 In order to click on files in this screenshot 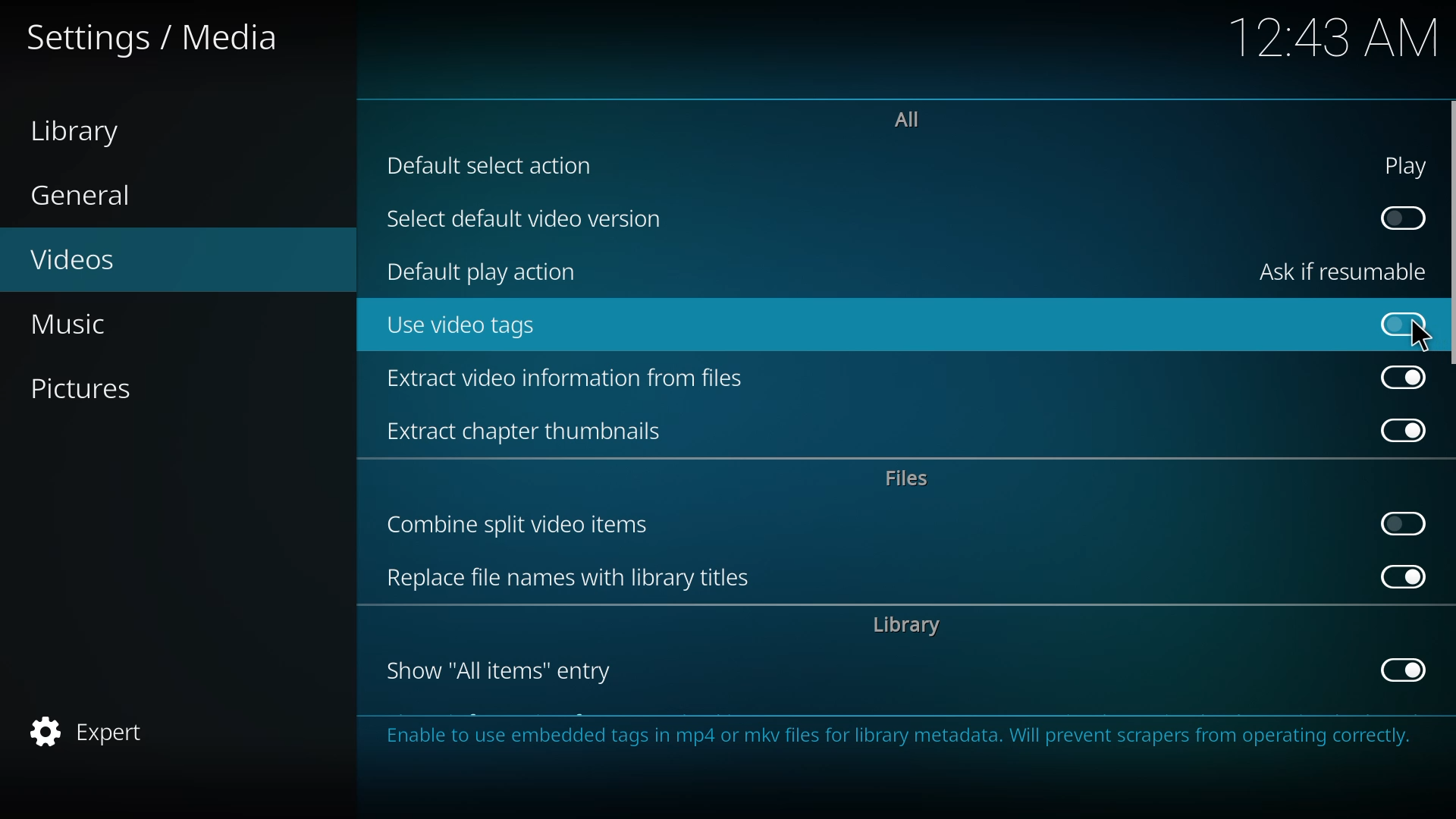, I will do `click(912, 477)`.